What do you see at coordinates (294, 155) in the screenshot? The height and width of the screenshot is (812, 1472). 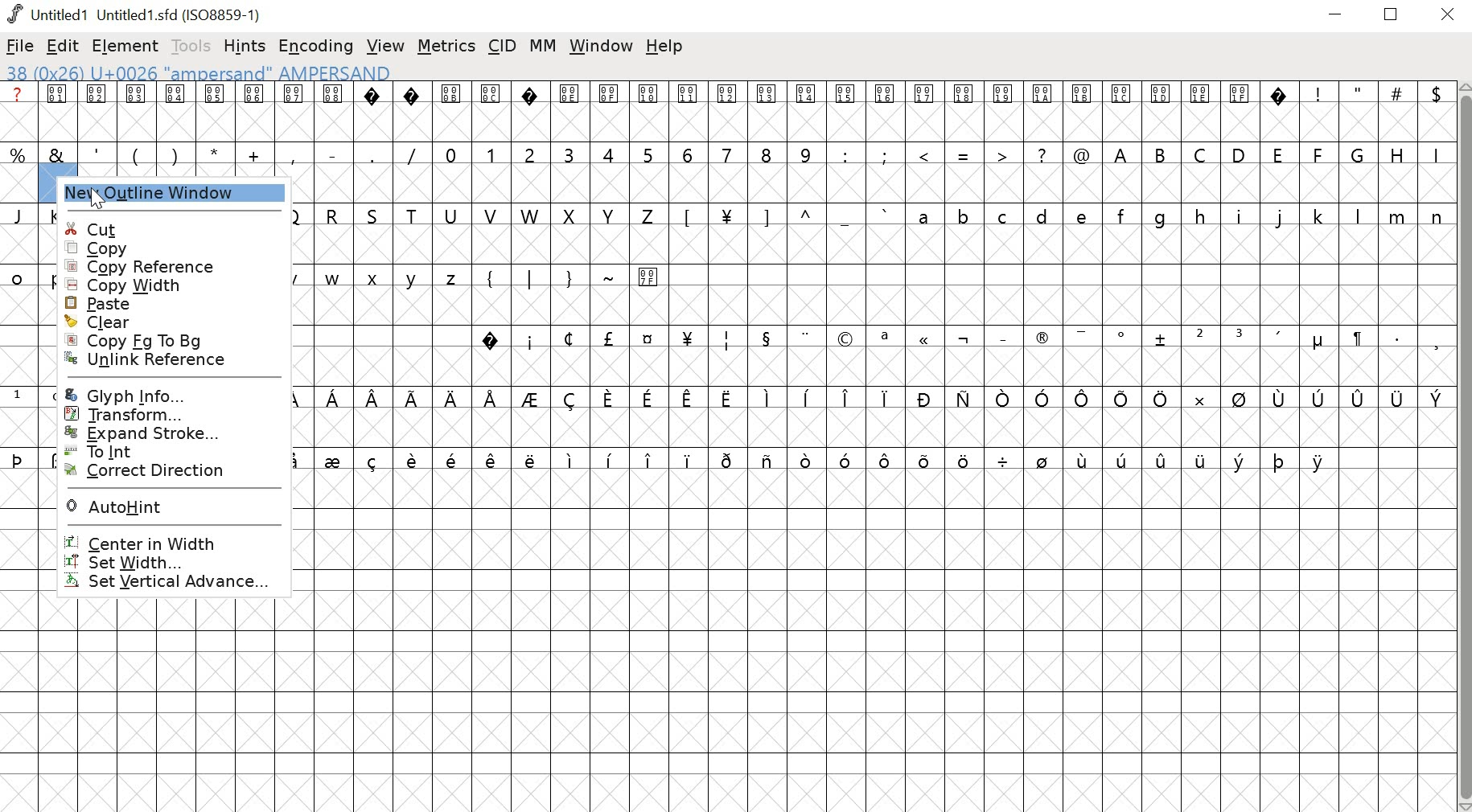 I see `,` at bounding box center [294, 155].